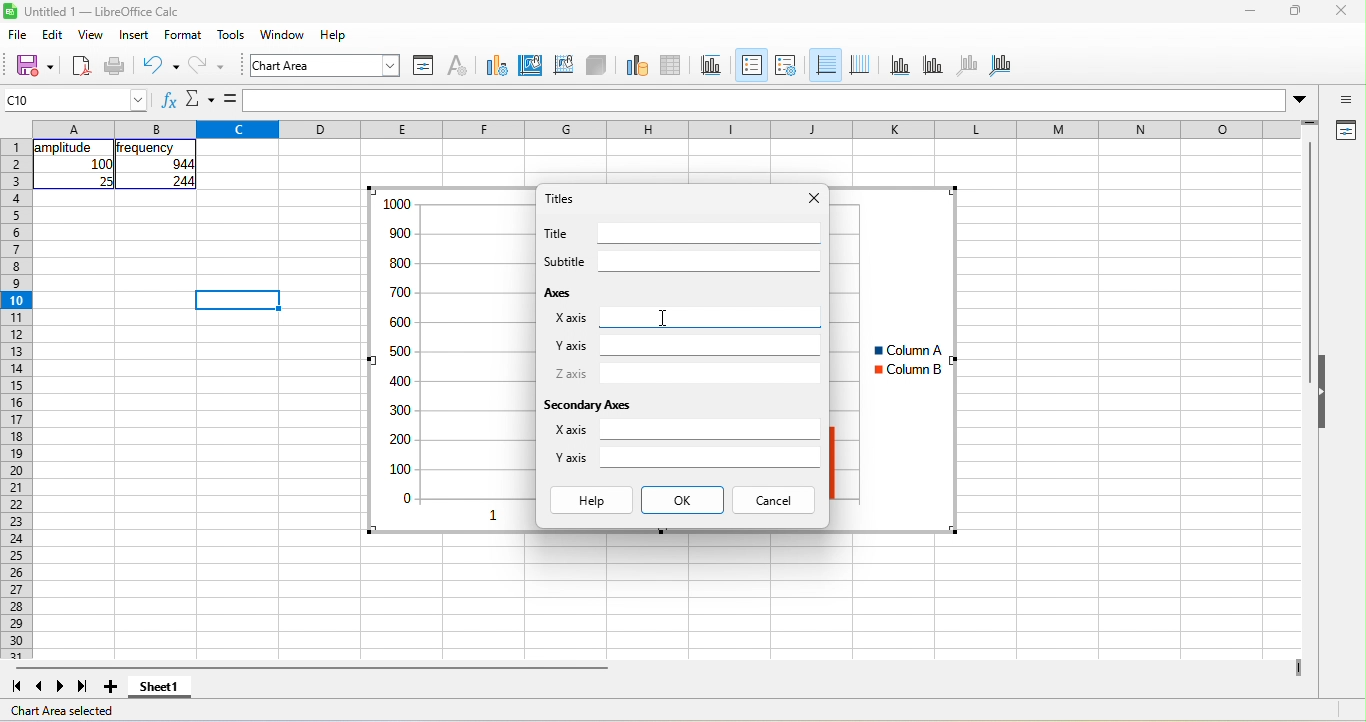 The image size is (1366, 722). Describe the element at coordinates (200, 99) in the screenshot. I see `Function options` at that location.